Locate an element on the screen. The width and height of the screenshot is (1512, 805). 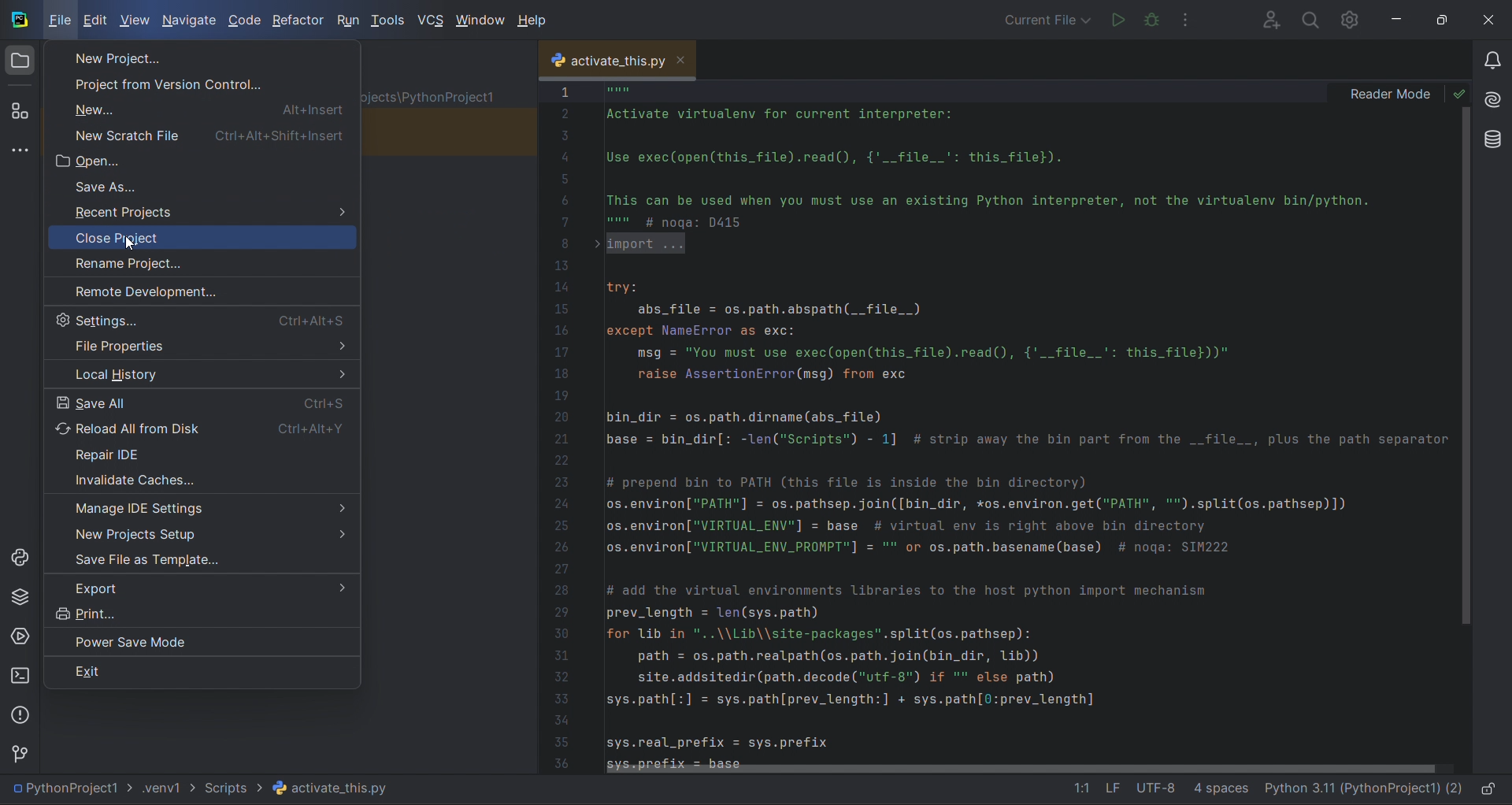
ai tool is located at coordinates (1496, 98).